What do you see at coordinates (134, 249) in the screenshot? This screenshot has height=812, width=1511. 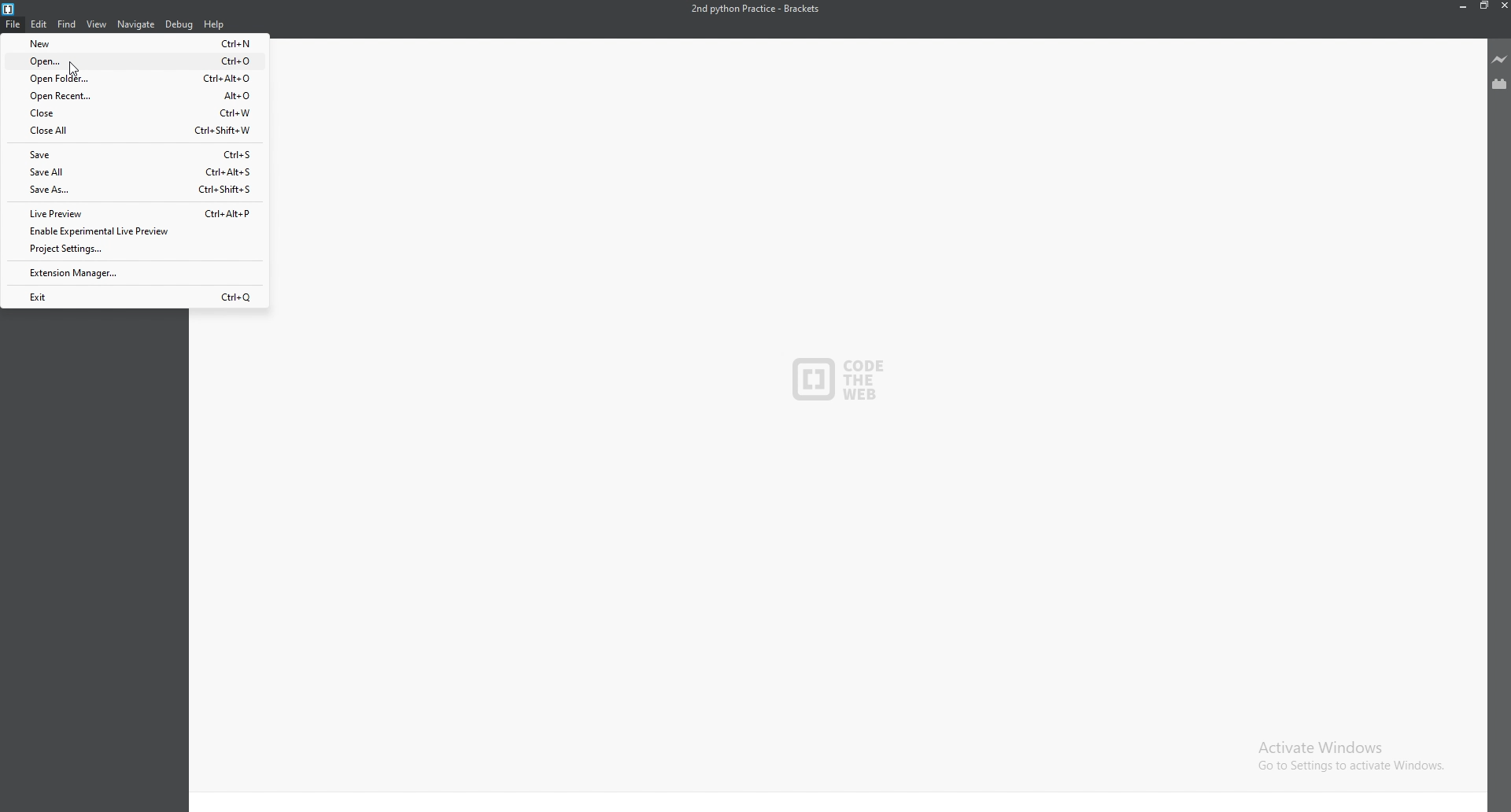 I see `project settings` at bounding box center [134, 249].